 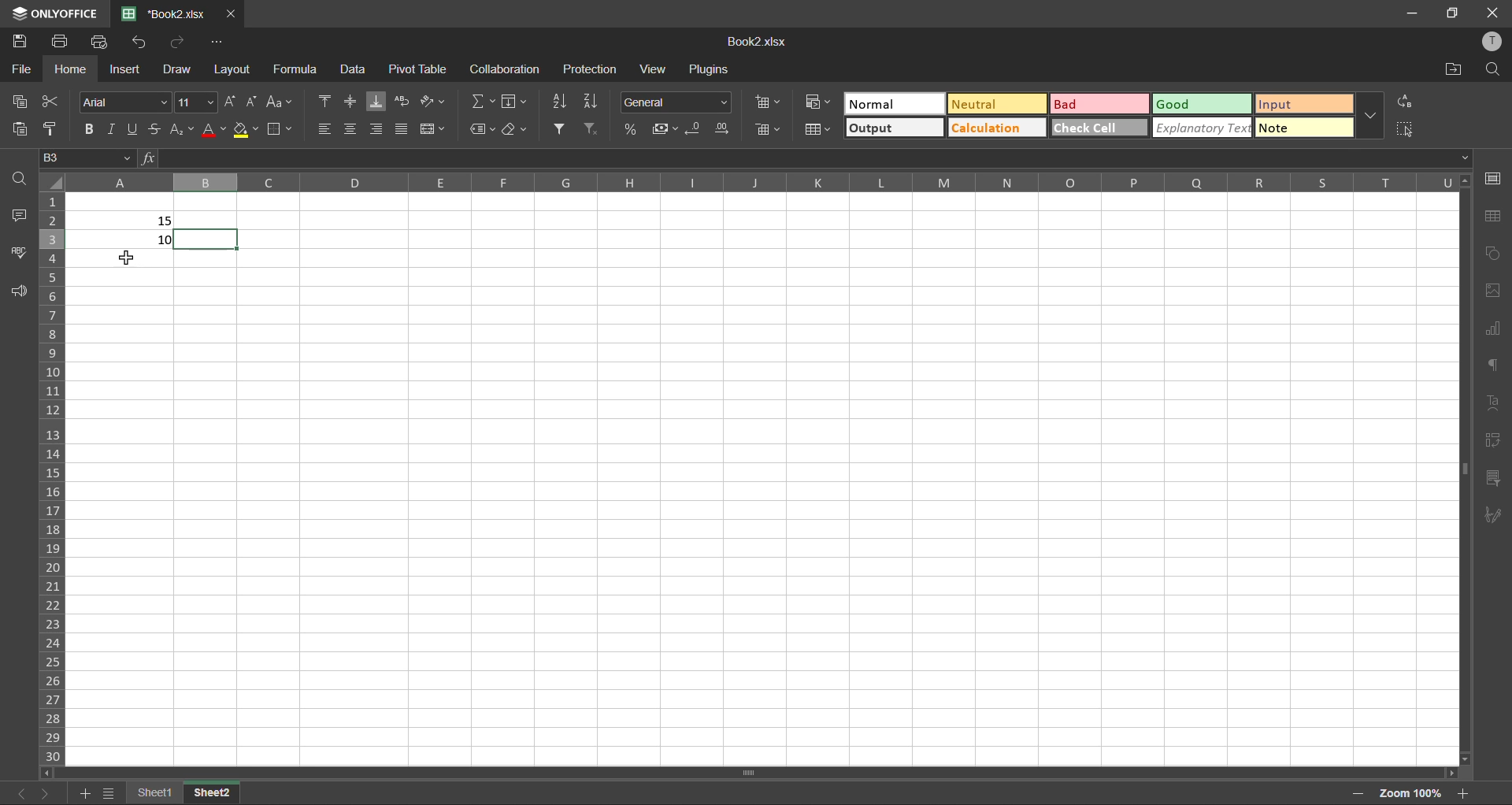 What do you see at coordinates (1495, 442) in the screenshot?
I see `pivot table` at bounding box center [1495, 442].